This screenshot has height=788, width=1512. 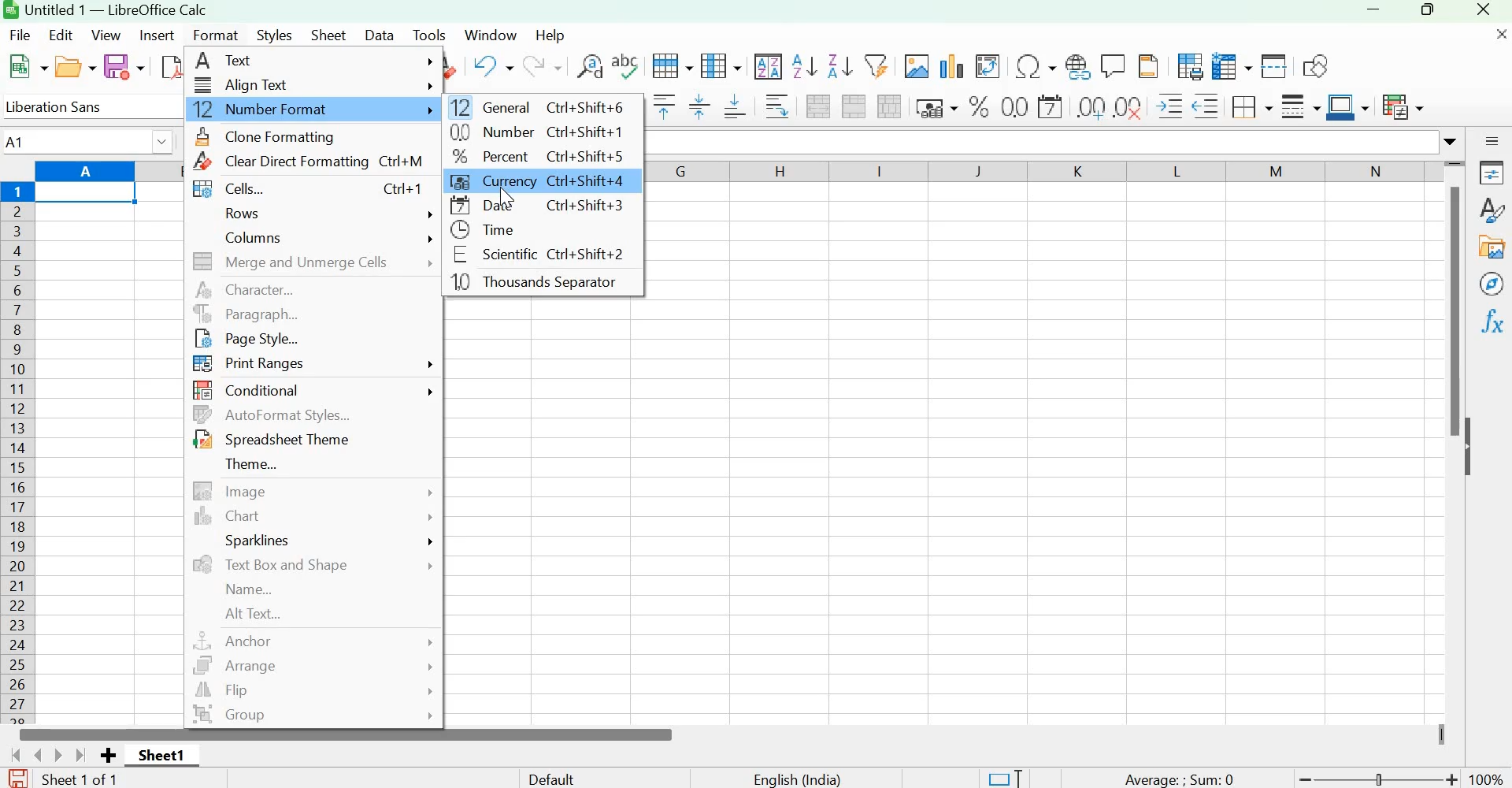 What do you see at coordinates (979, 106) in the screenshot?
I see `Format as percent` at bounding box center [979, 106].